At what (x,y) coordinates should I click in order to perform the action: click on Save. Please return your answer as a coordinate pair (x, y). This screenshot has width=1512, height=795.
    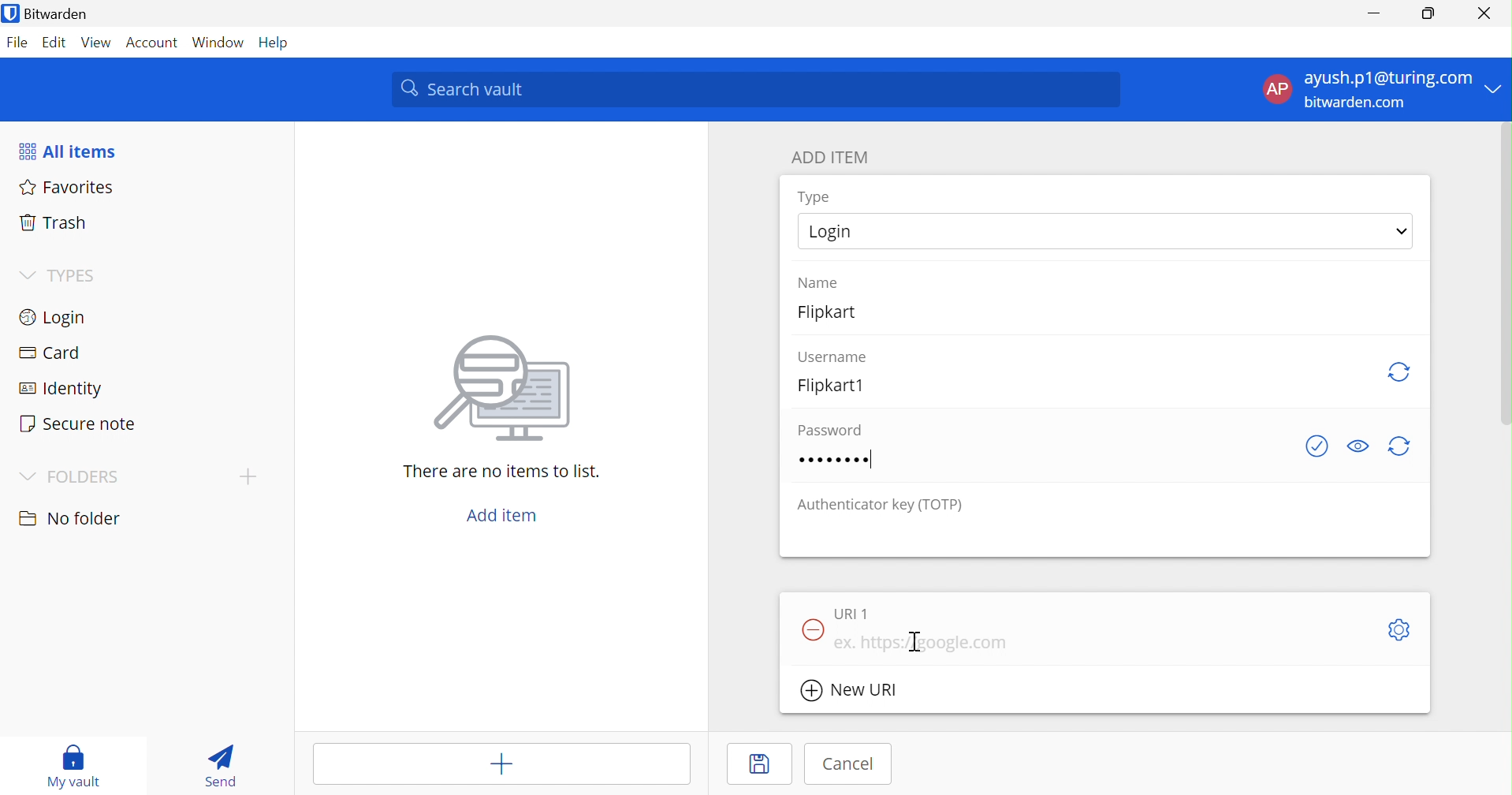
    Looking at the image, I should click on (749, 767).